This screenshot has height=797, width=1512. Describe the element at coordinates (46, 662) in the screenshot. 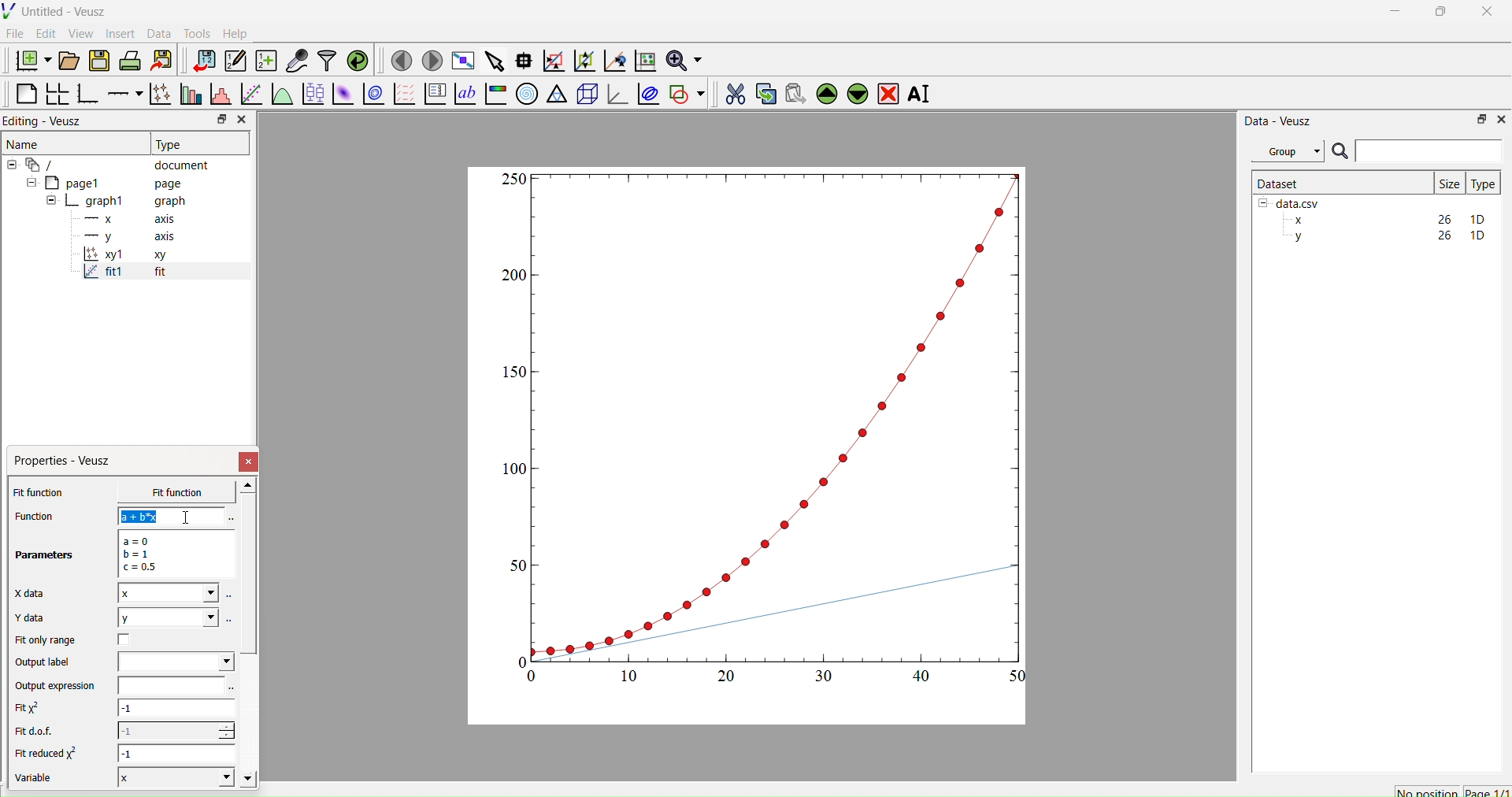

I see `Output label` at that location.